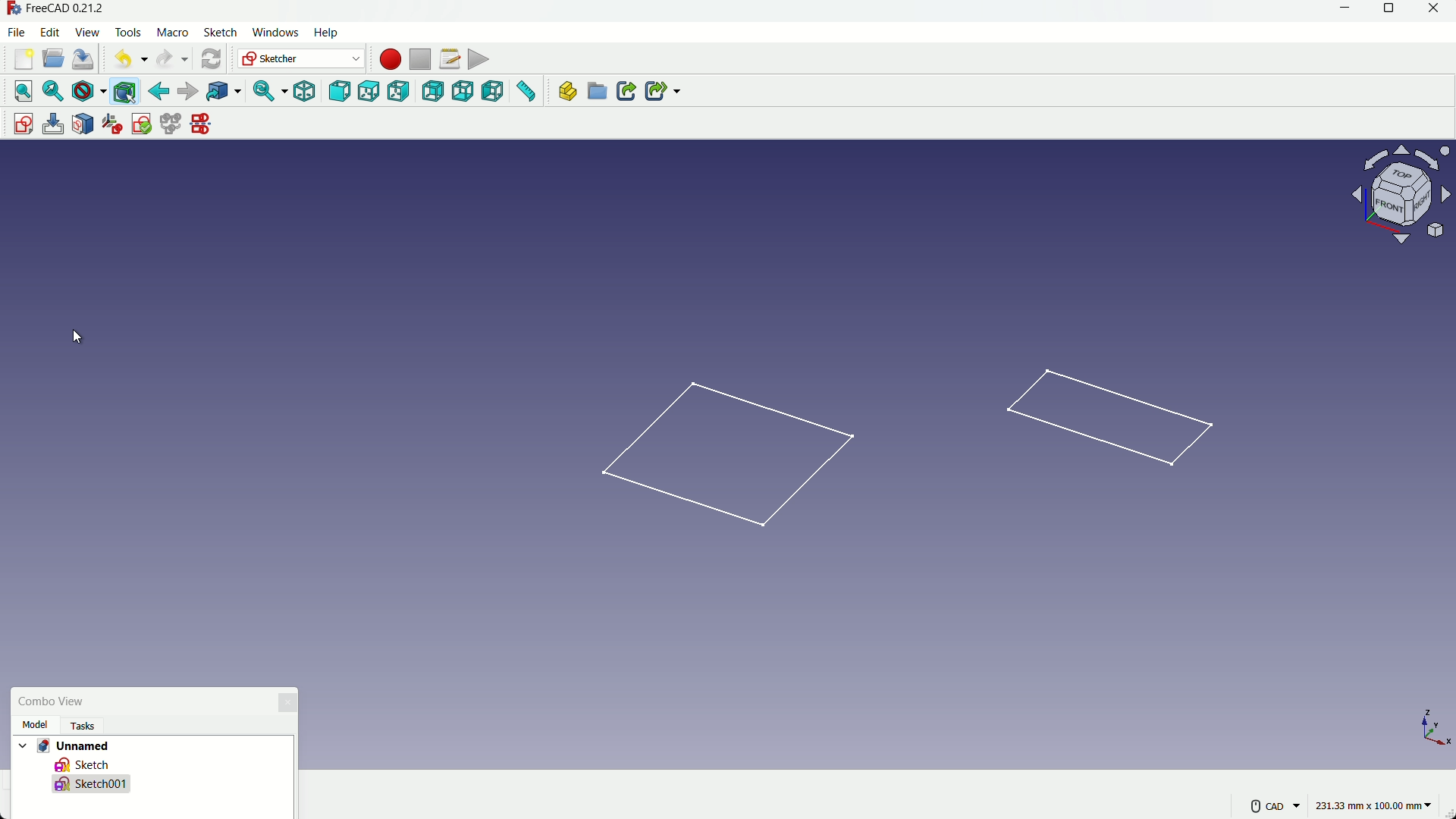 This screenshot has width=1456, height=819. Describe the element at coordinates (81, 91) in the screenshot. I see `draw styles` at that location.